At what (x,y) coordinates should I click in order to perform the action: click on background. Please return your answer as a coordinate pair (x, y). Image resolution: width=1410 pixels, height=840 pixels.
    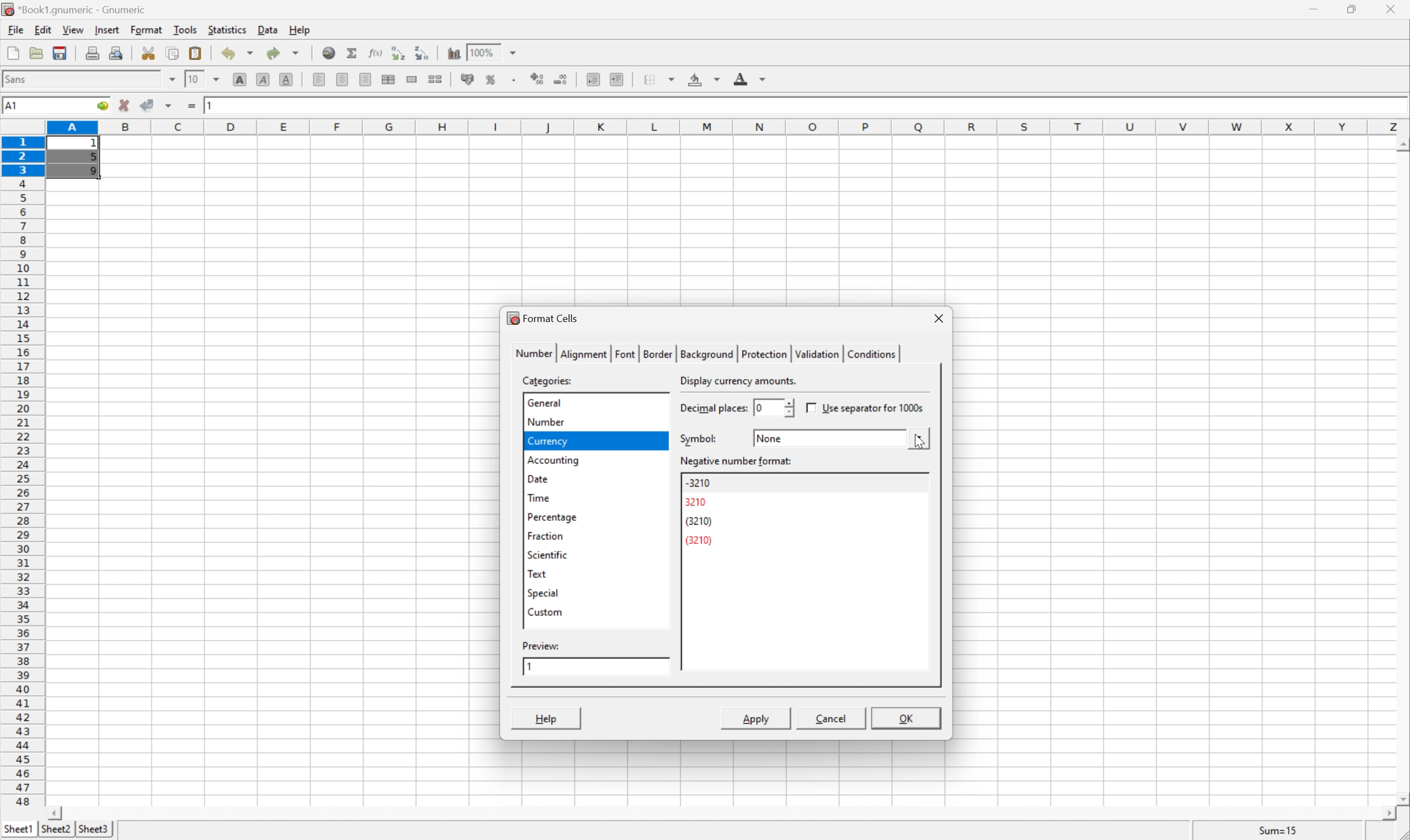
    Looking at the image, I should click on (705, 354).